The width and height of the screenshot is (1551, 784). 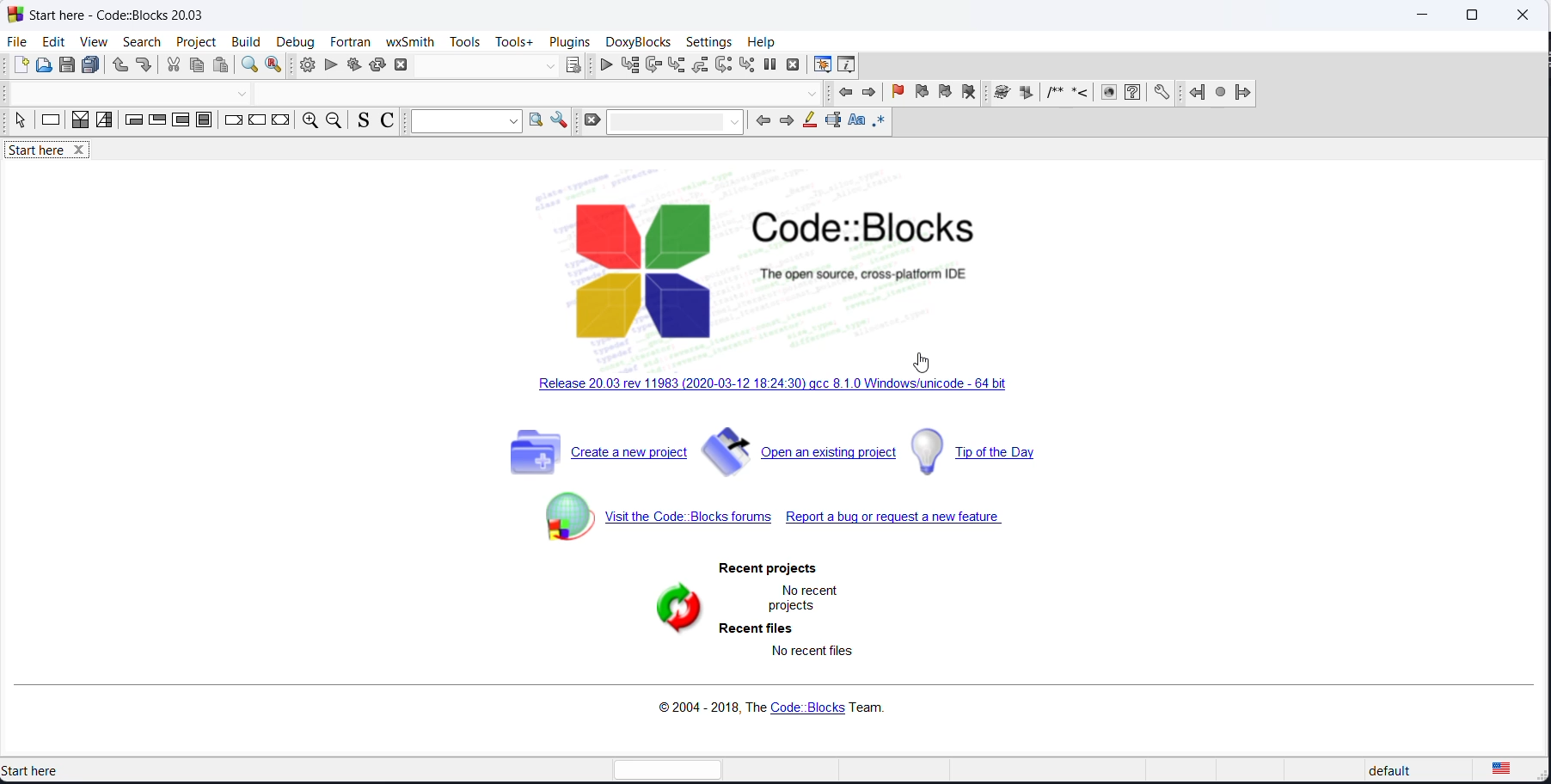 I want to click on fortran, so click(x=348, y=40).